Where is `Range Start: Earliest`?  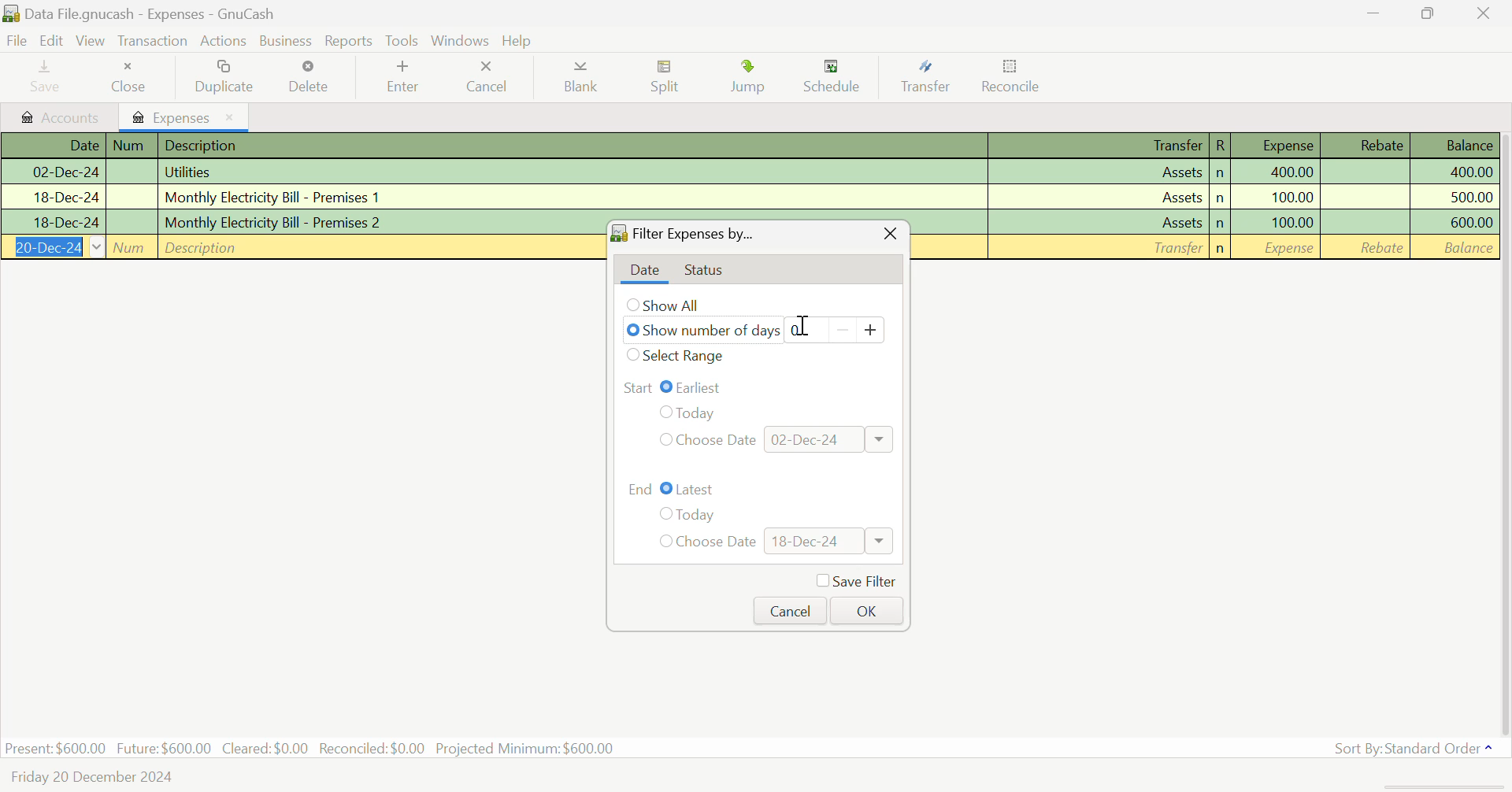 Range Start: Earliest is located at coordinates (759, 387).